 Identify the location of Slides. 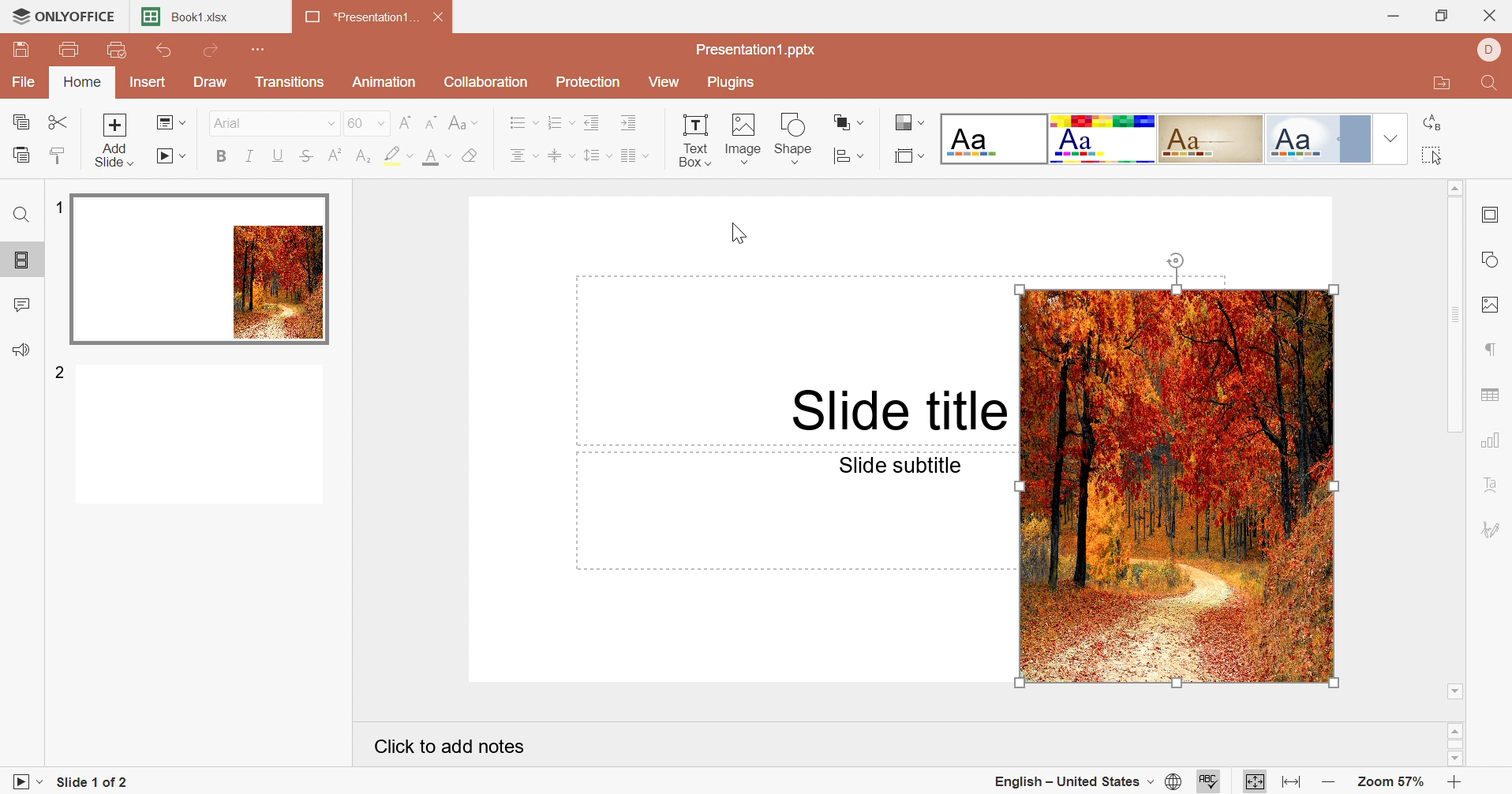
(22, 261).